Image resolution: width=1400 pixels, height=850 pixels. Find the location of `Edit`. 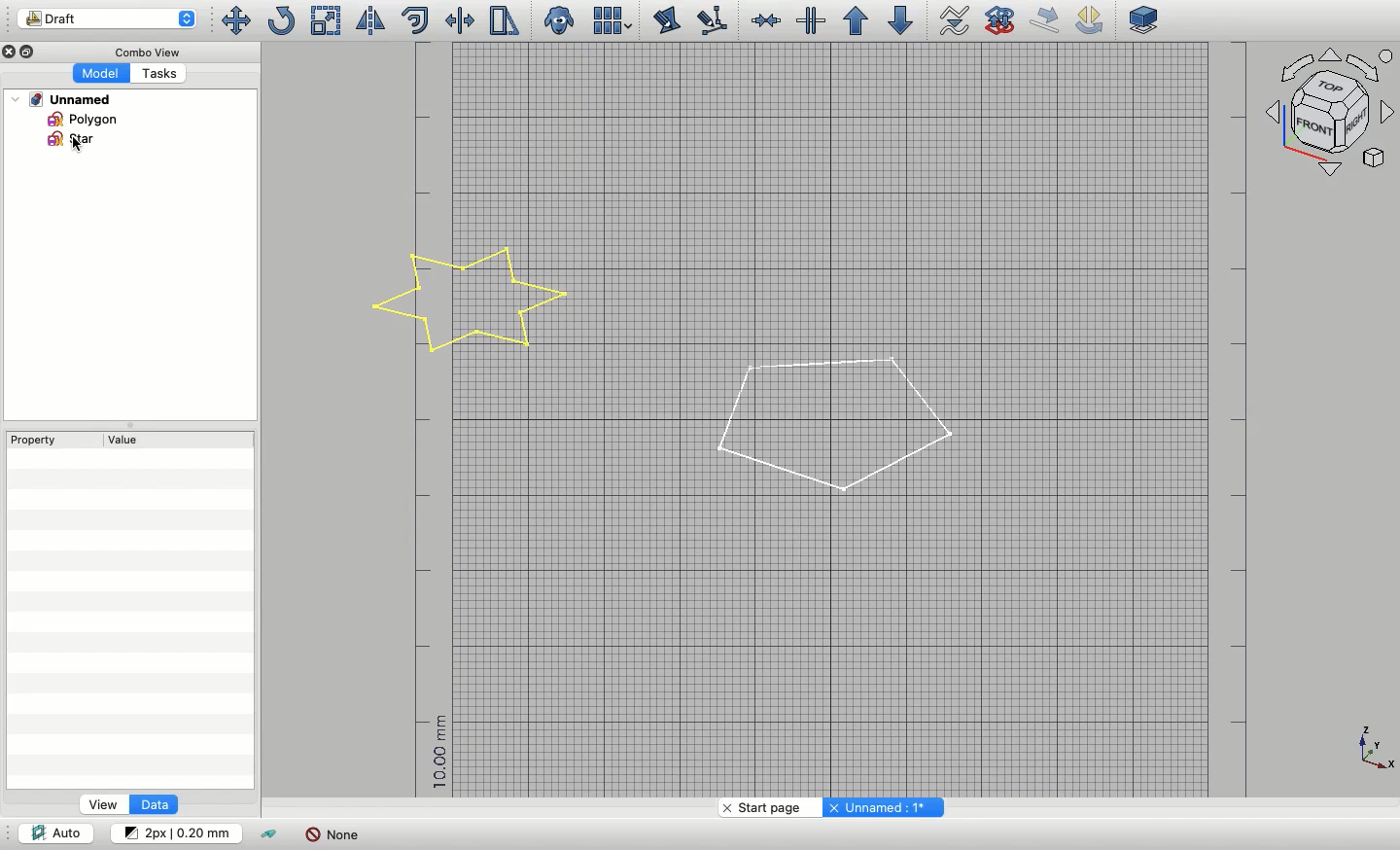

Edit is located at coordinates (667, 20).